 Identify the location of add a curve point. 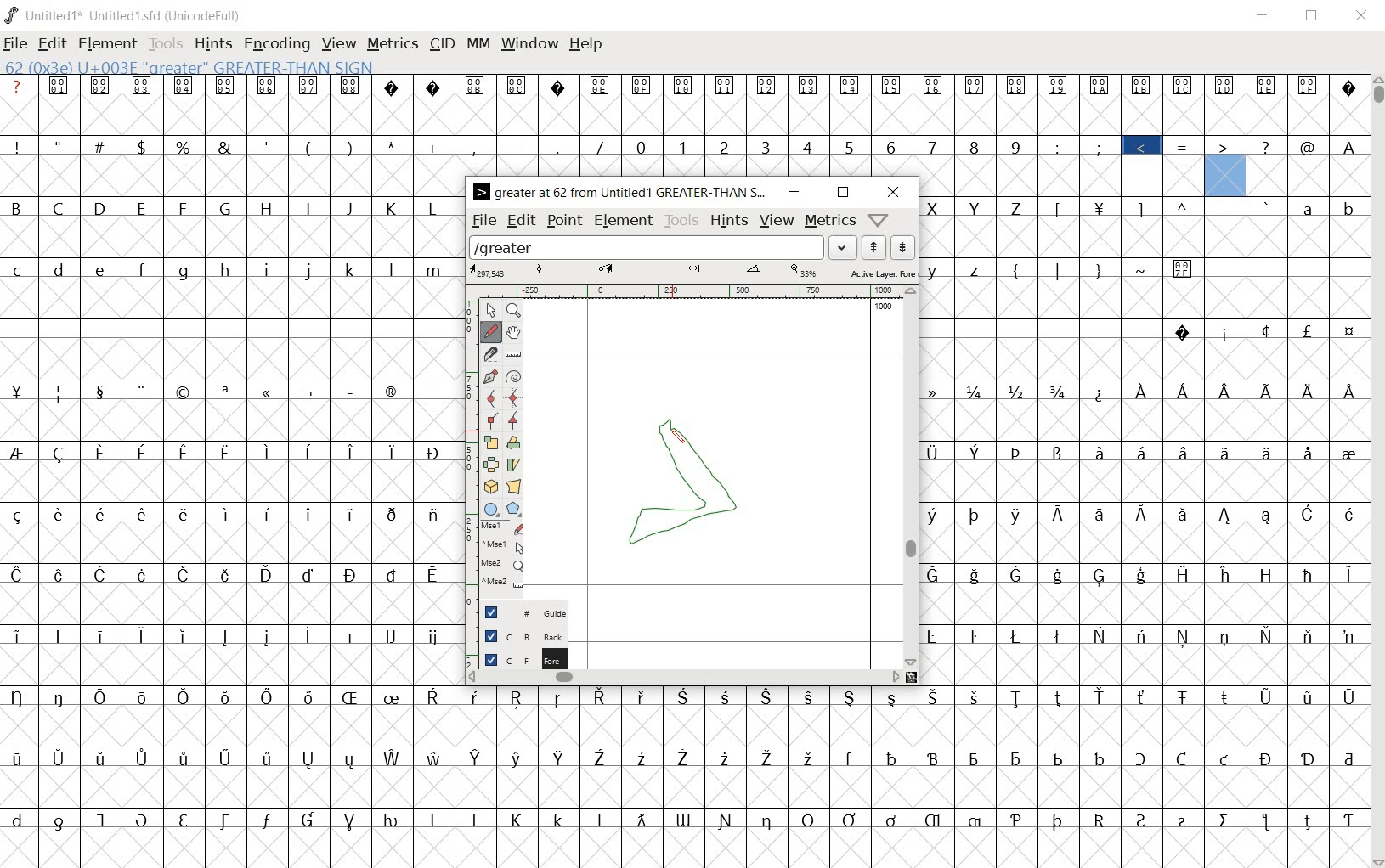
(491, 397).